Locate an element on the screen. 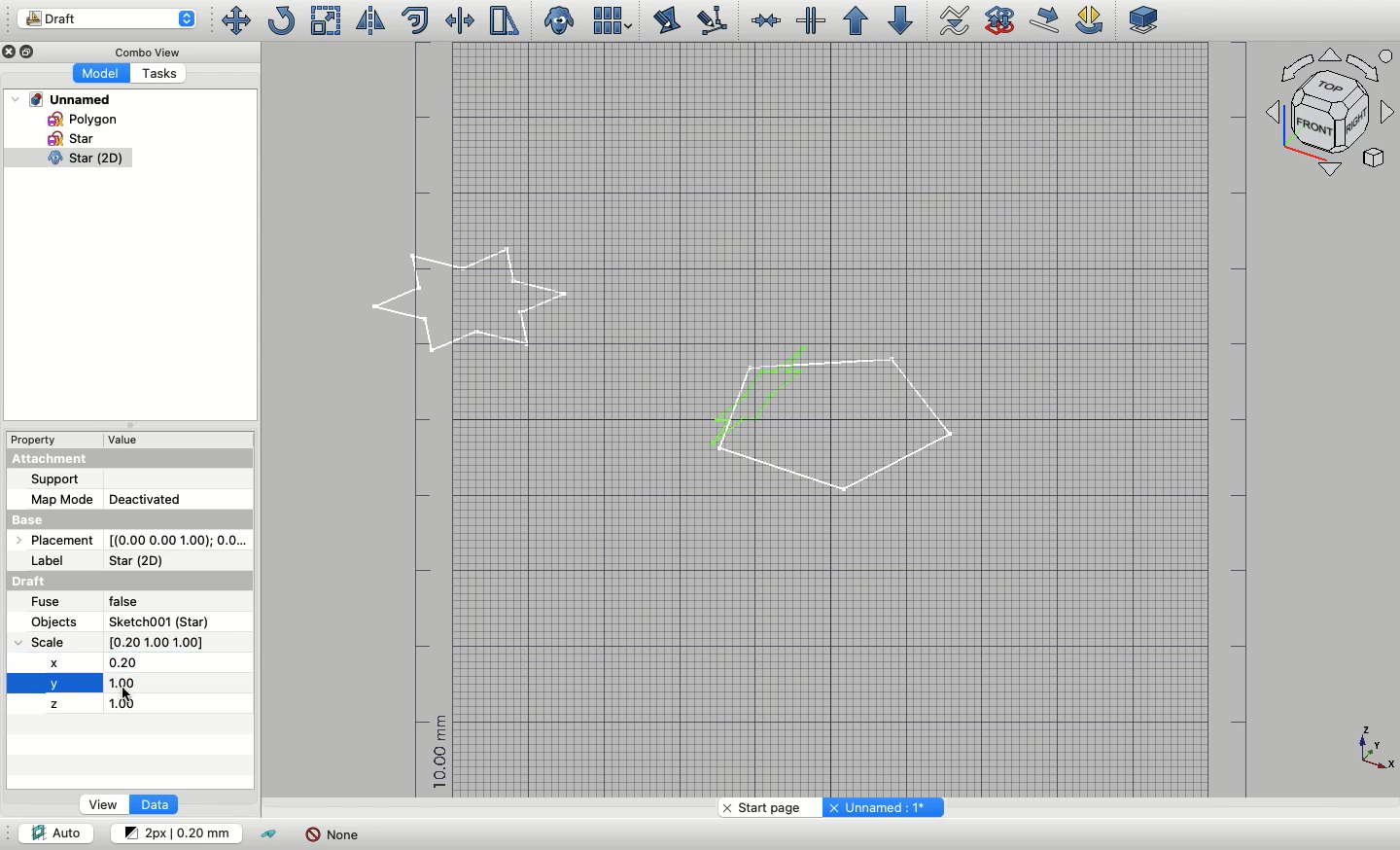  Change default style for new objects is located at coordinates (174, 832).